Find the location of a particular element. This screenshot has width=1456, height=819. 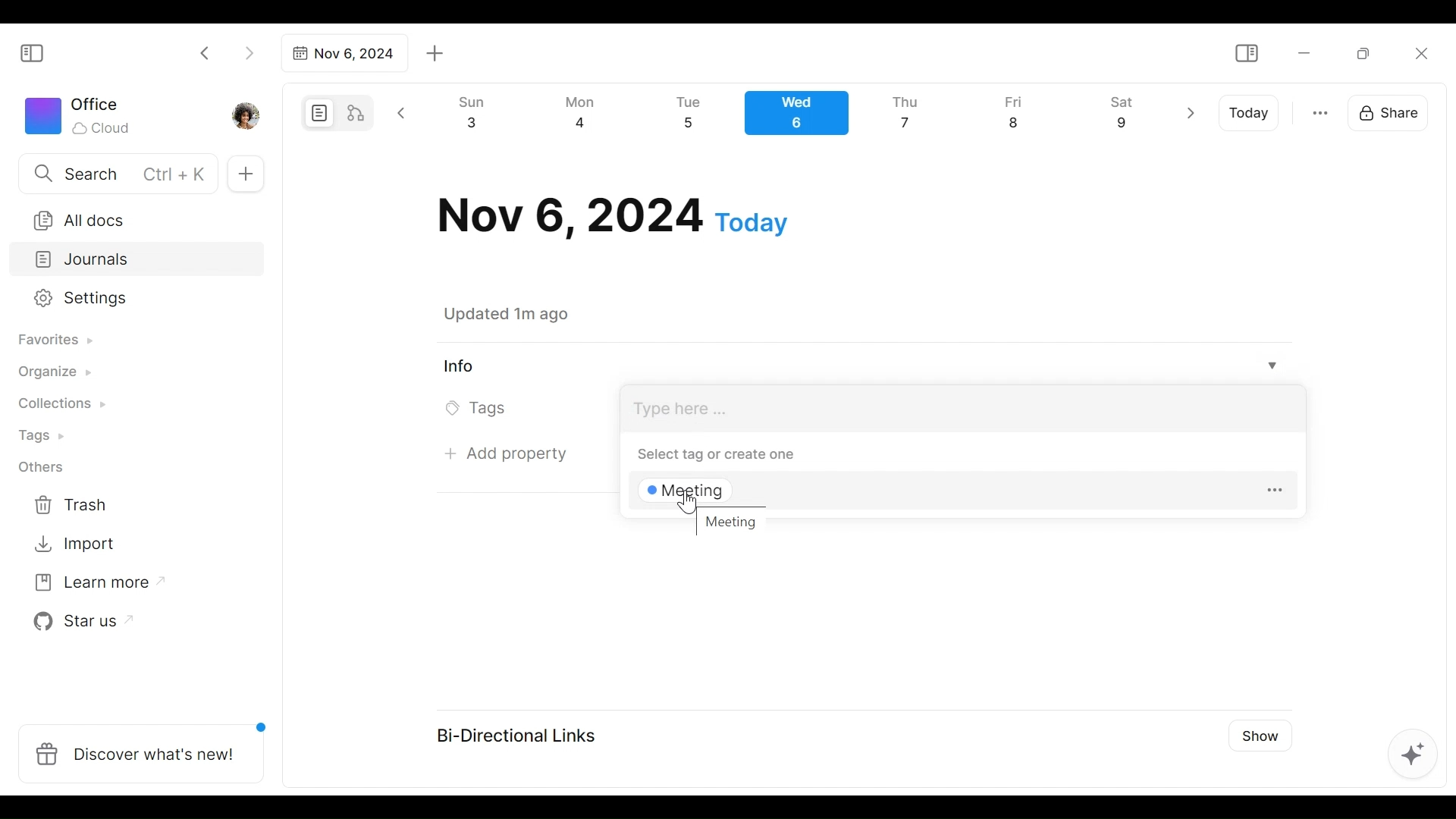

more otions is located at coordinates (1320, 111).